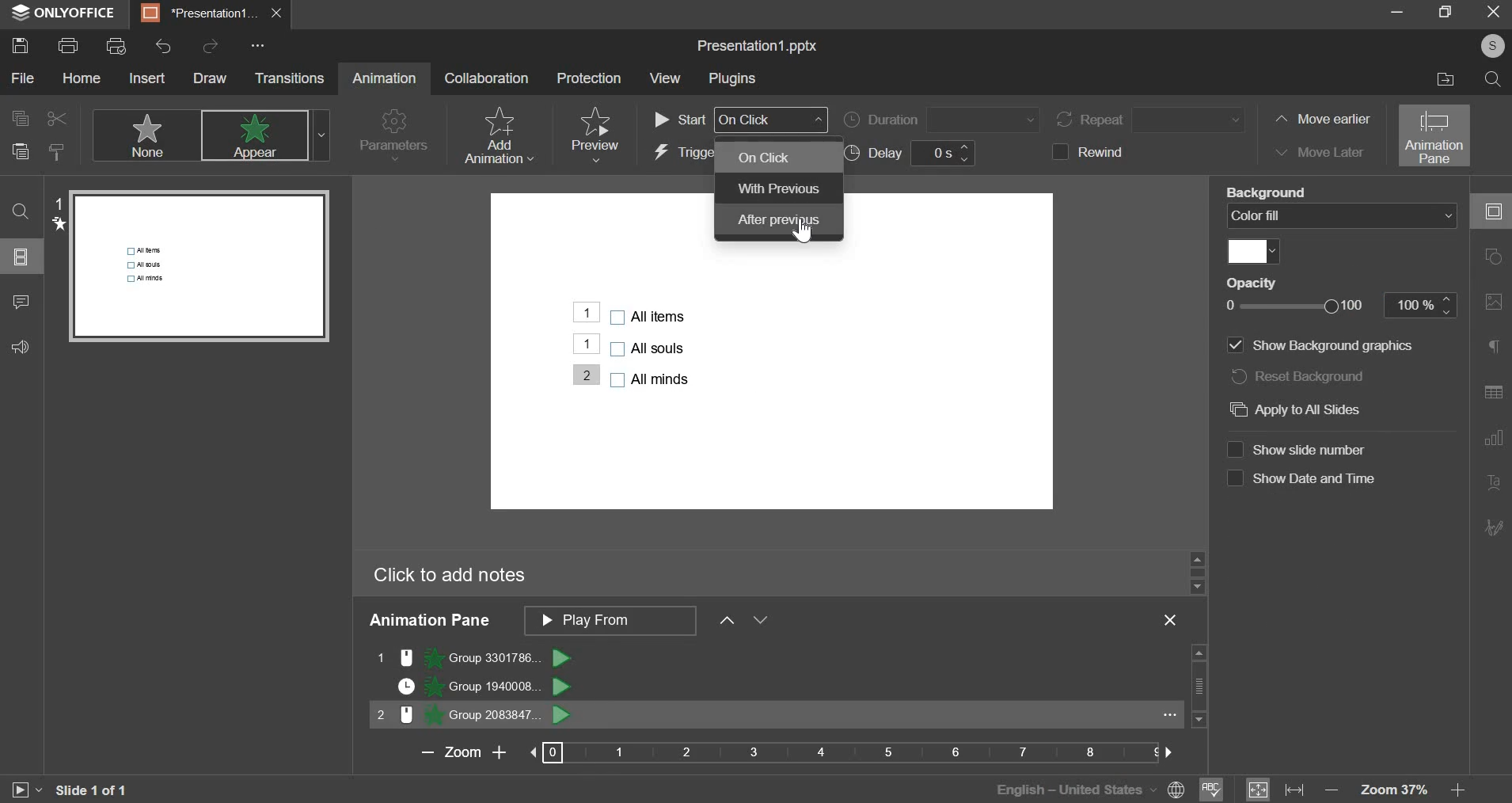  Describe the element at coordinates (264, 136) in the screenshot. I see `appear` at that location.